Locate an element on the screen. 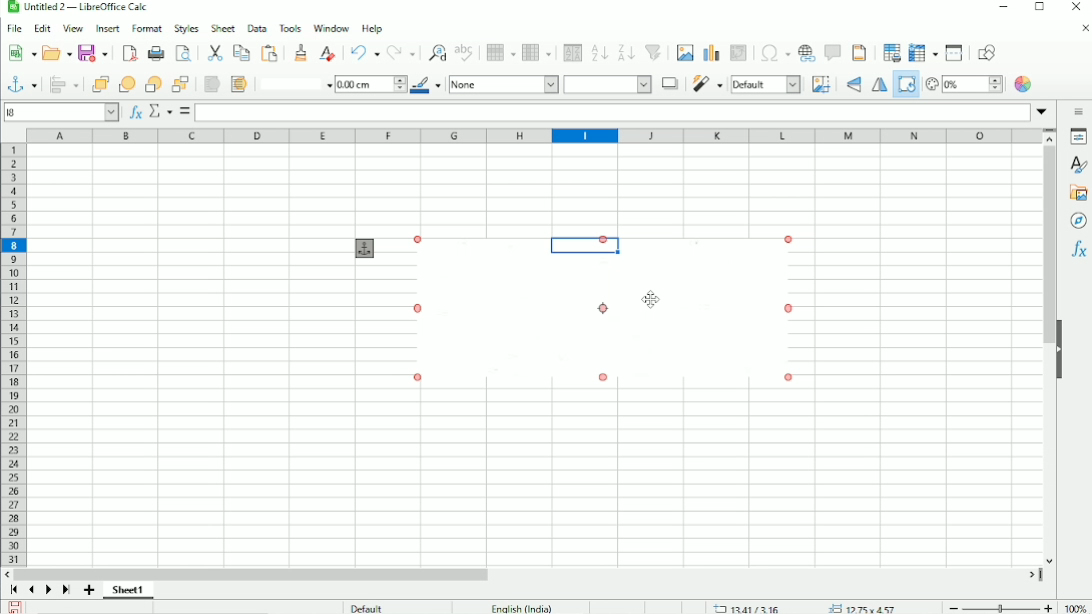  Print is located at coordinates (155, 53).